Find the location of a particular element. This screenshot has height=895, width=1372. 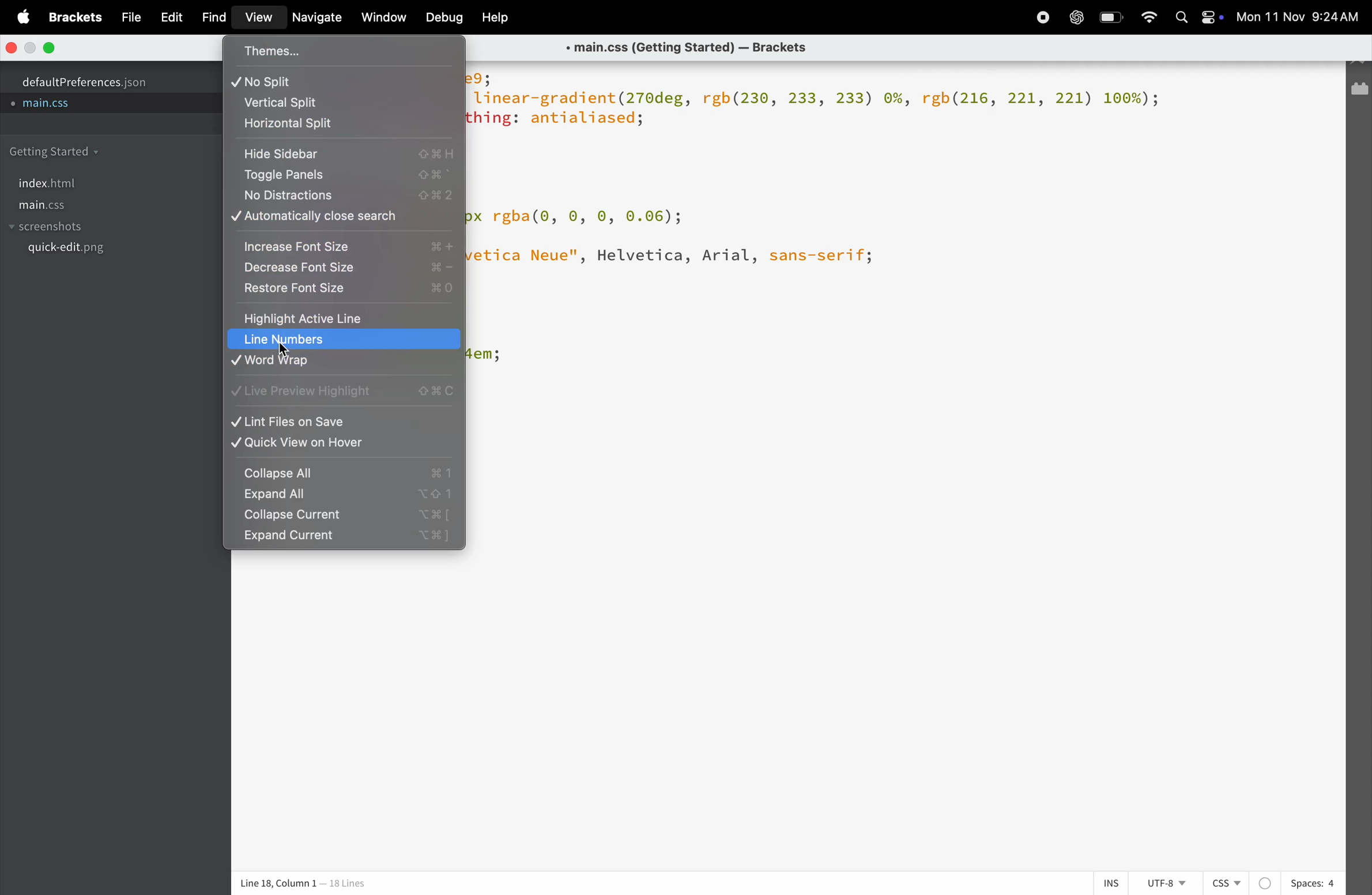

spaces is located at coordinates (1313, 883).